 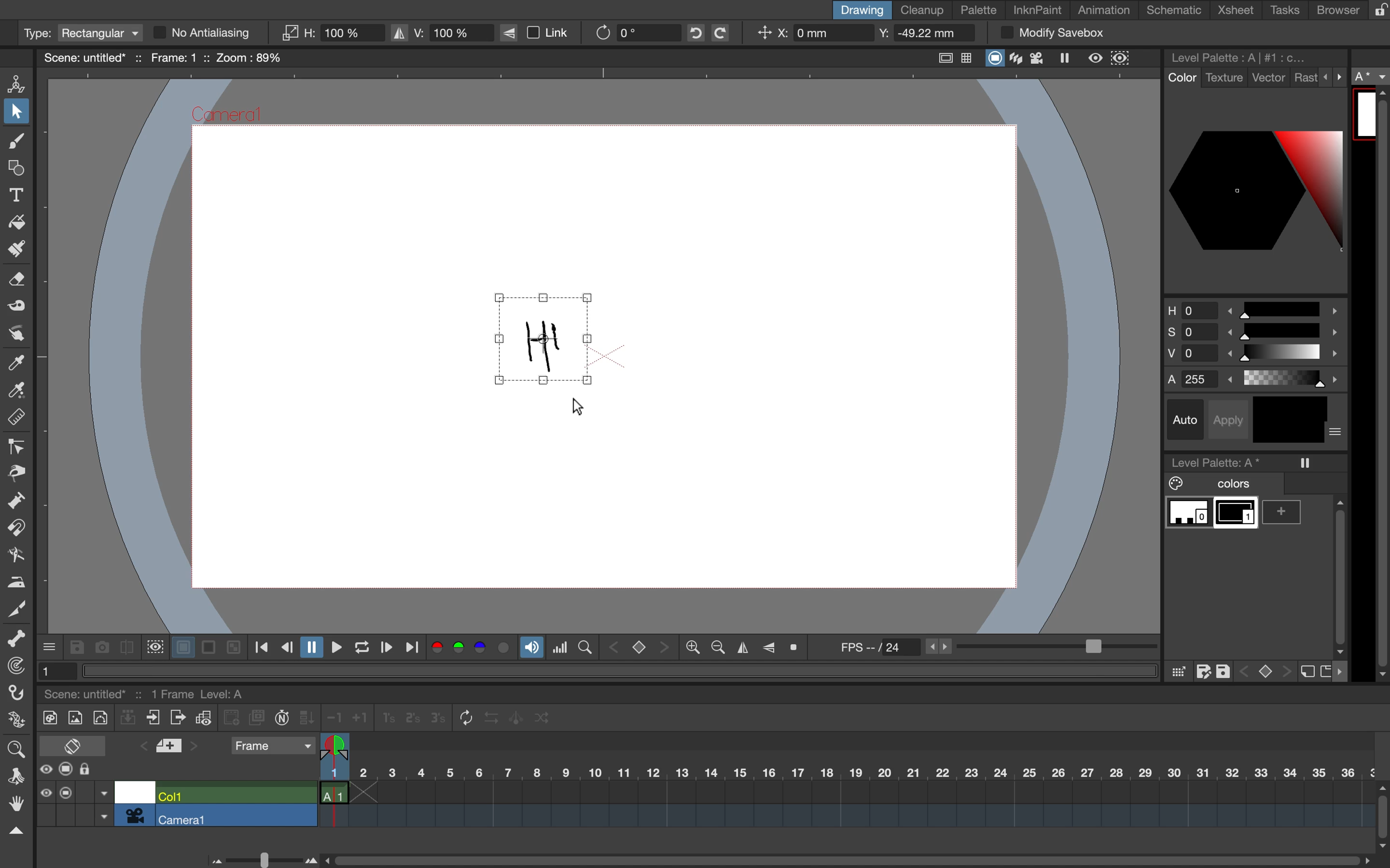 I want to click on palette, so click(x=979, y=10).